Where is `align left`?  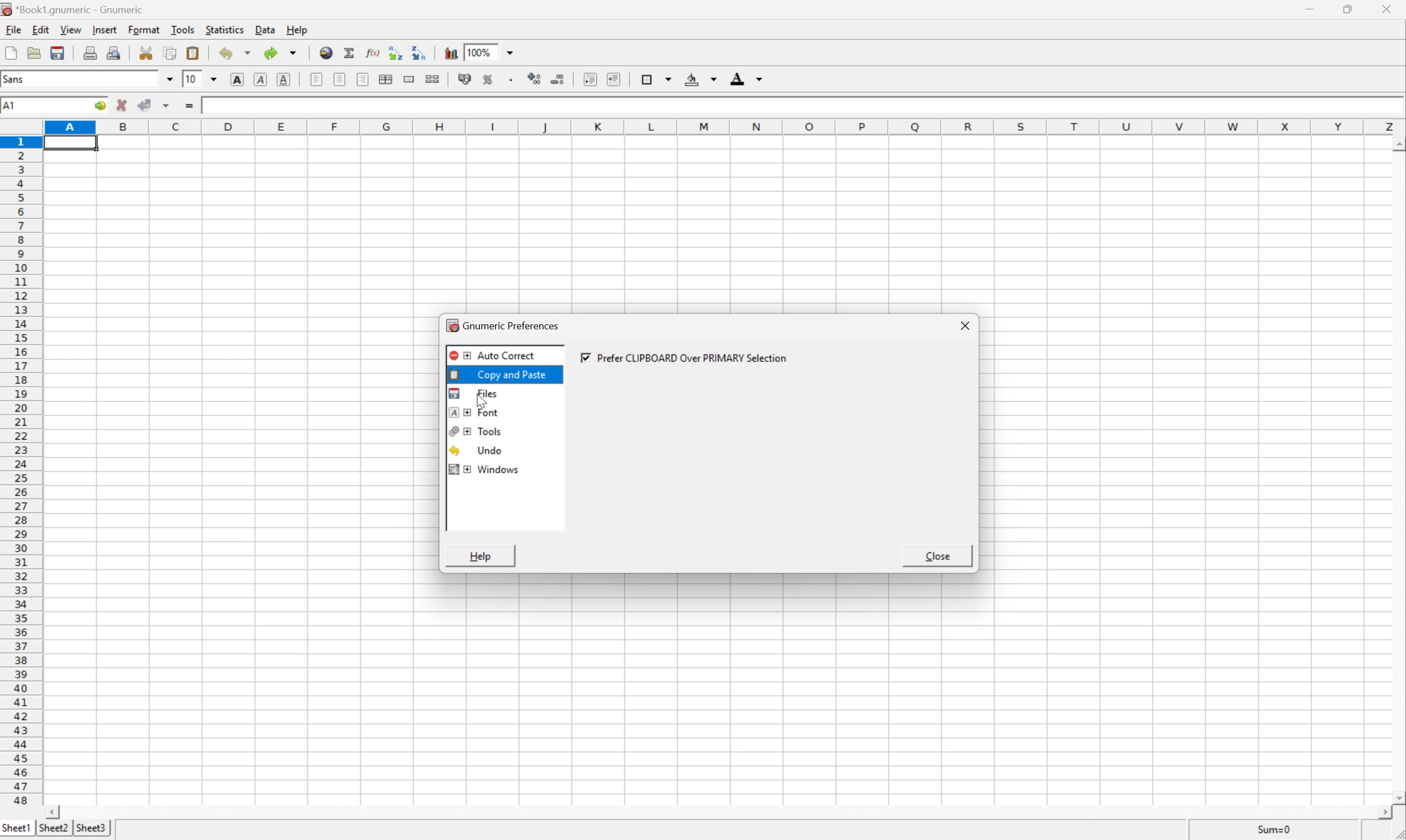 align left is located at coordinates (317, 79).